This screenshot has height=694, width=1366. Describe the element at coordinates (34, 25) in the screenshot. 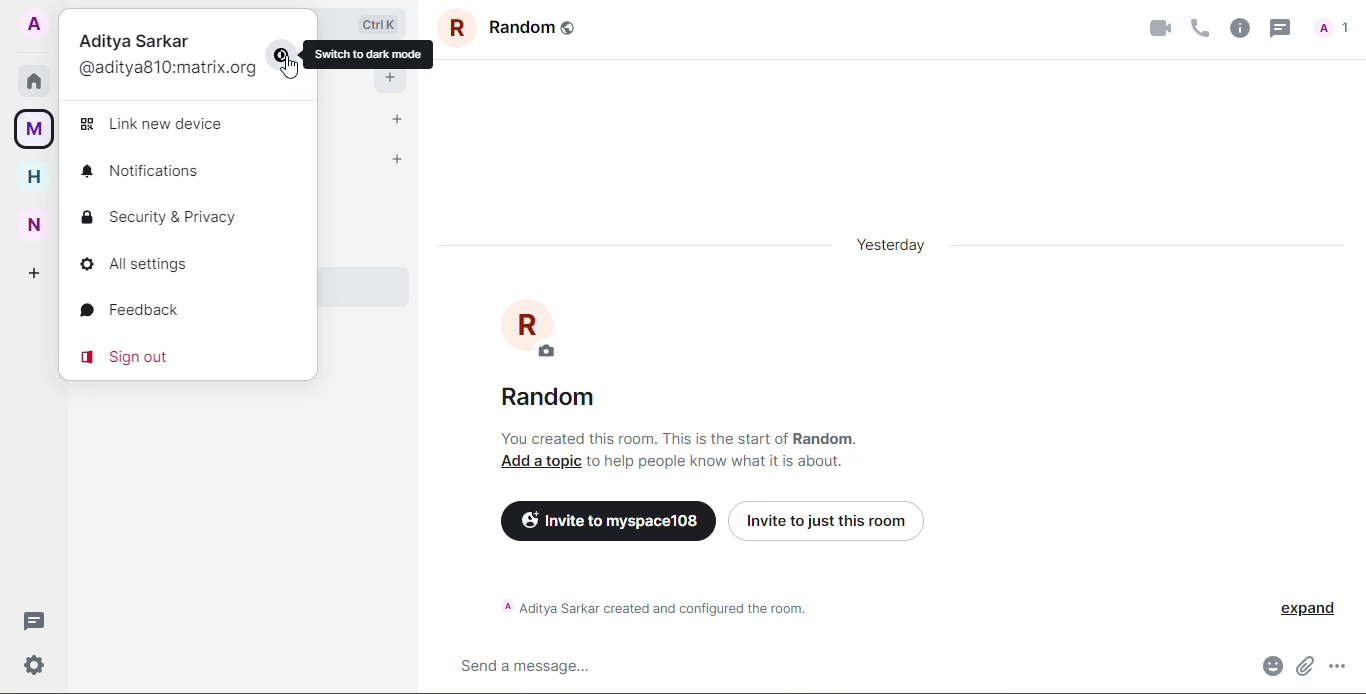

I see `accout` at that location.